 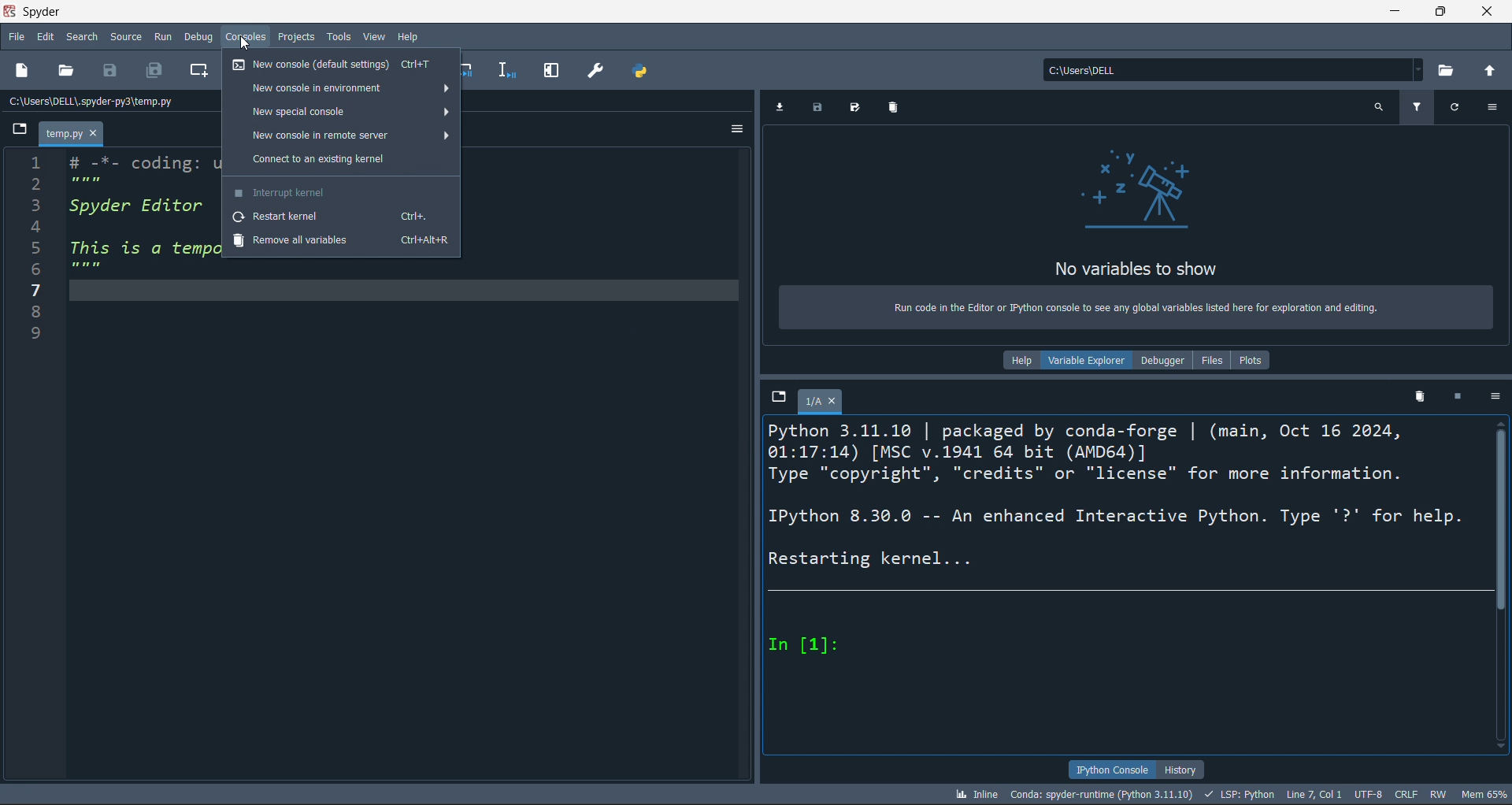 I want to click on debug, so click(x=200, y=37).